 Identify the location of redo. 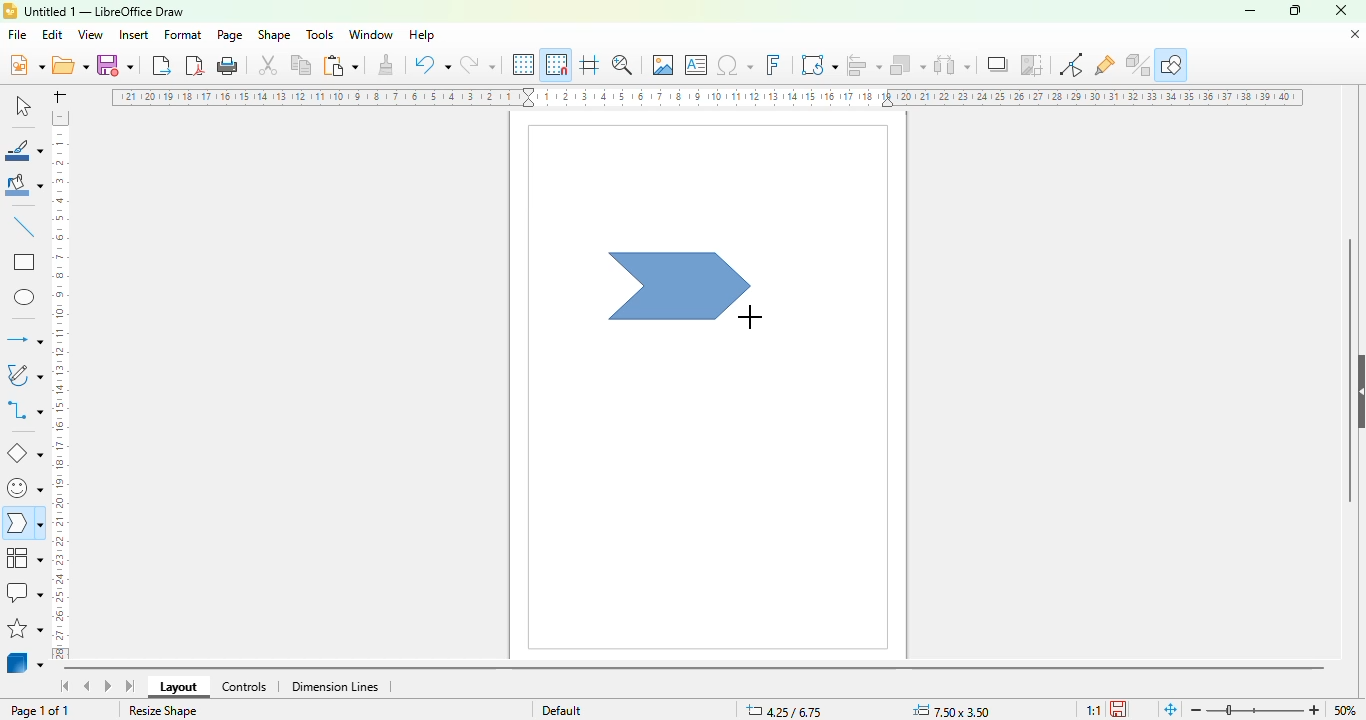
(477, 64).